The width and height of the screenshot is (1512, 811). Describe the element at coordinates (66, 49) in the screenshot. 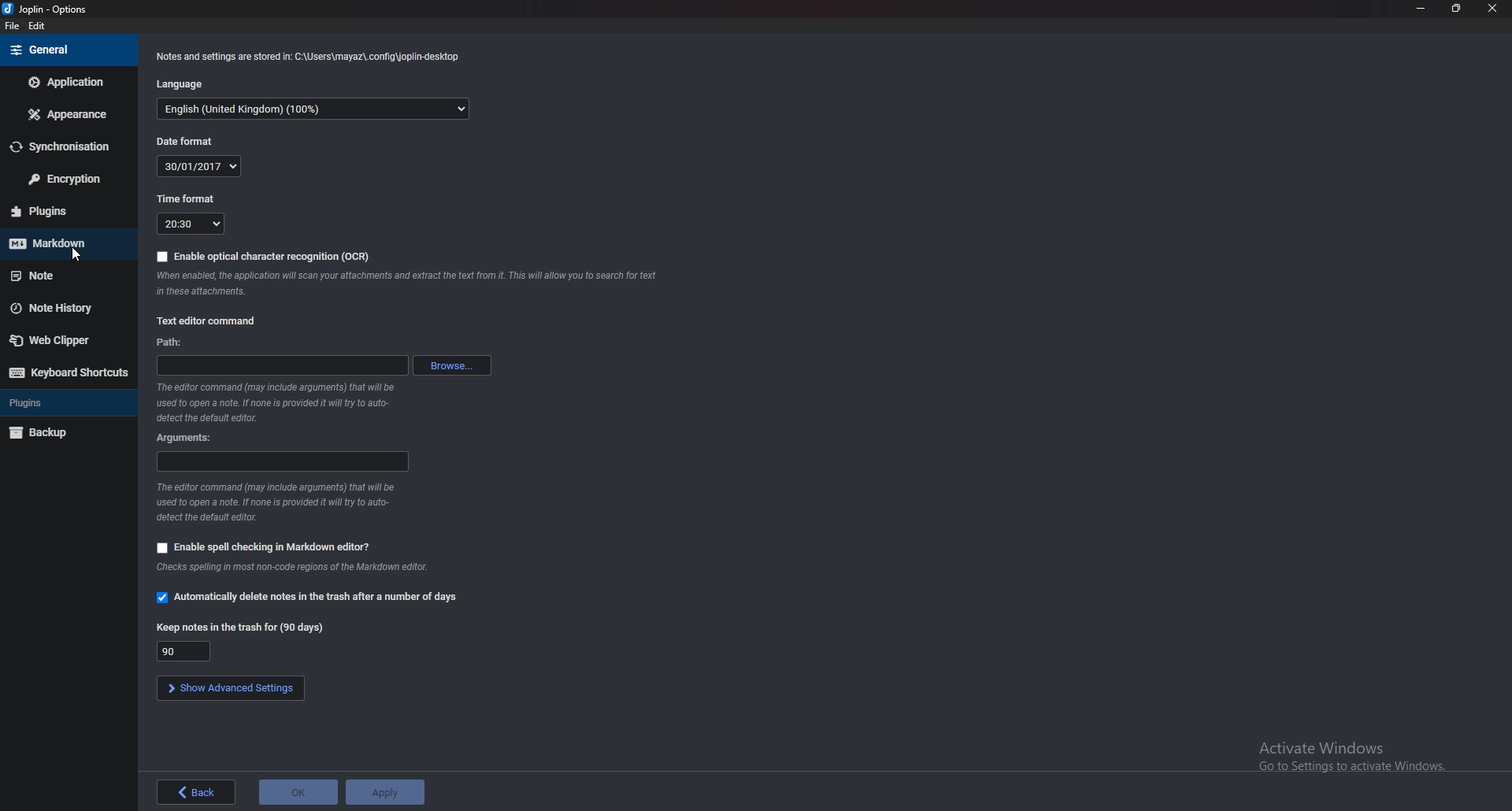

I see `General` at that location.